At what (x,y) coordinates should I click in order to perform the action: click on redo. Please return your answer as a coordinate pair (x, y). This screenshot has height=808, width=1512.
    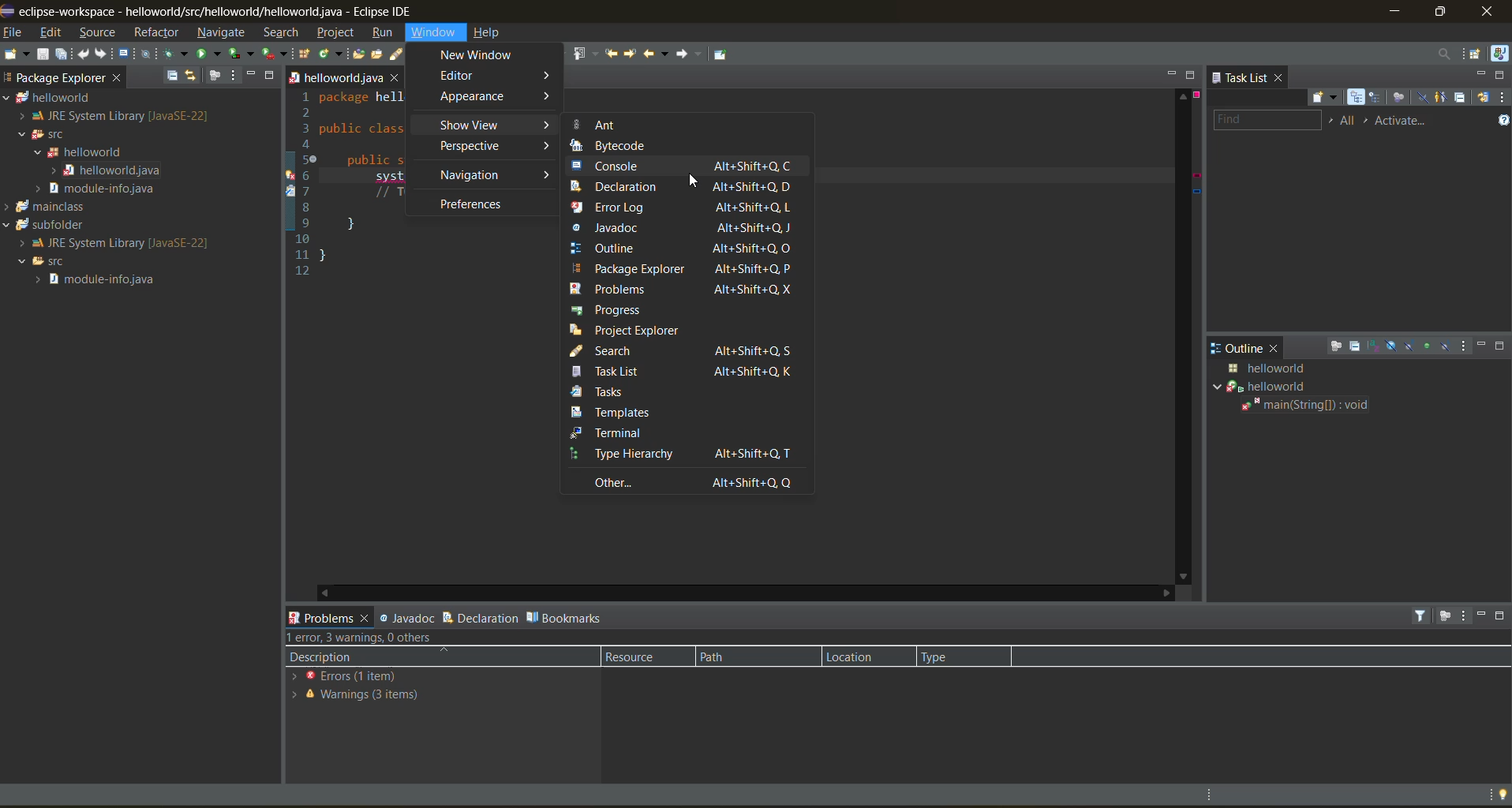
    Looking at the image, I should click on (102, 54).